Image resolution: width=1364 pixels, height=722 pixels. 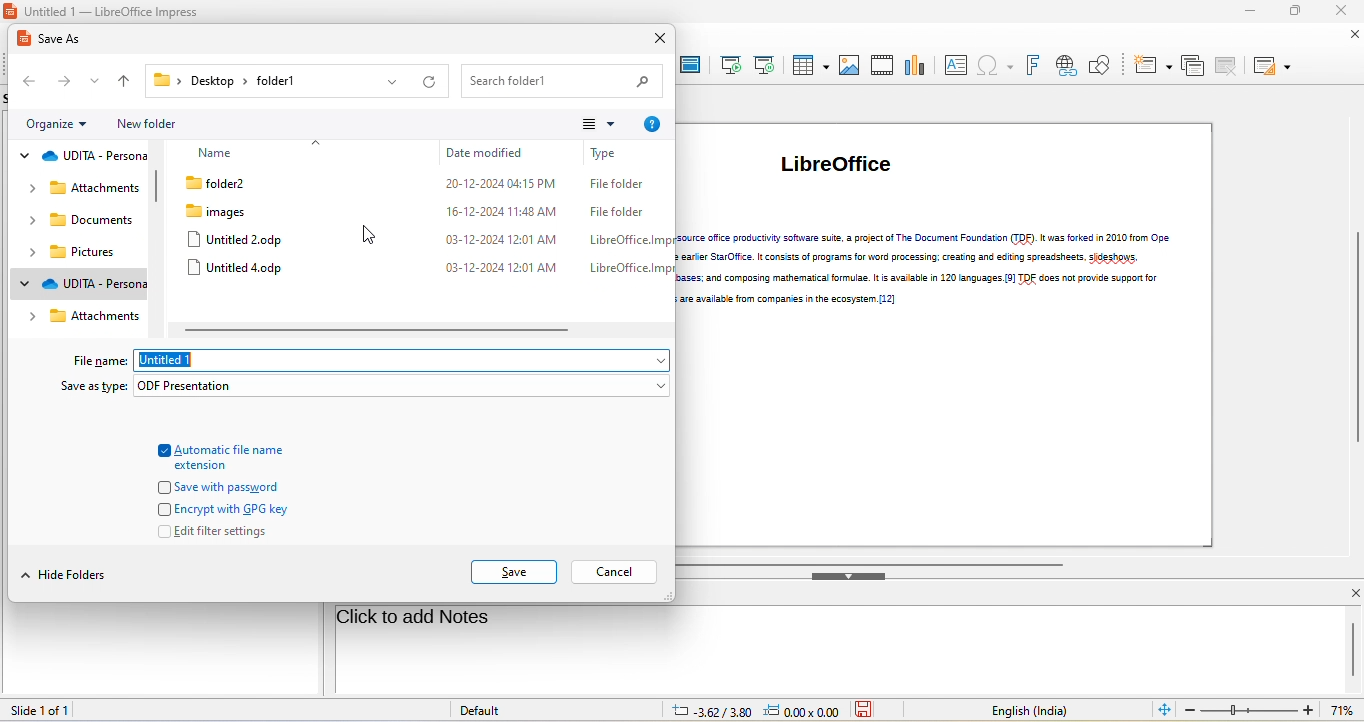 I want to click on help, so click(x=652, y=123).